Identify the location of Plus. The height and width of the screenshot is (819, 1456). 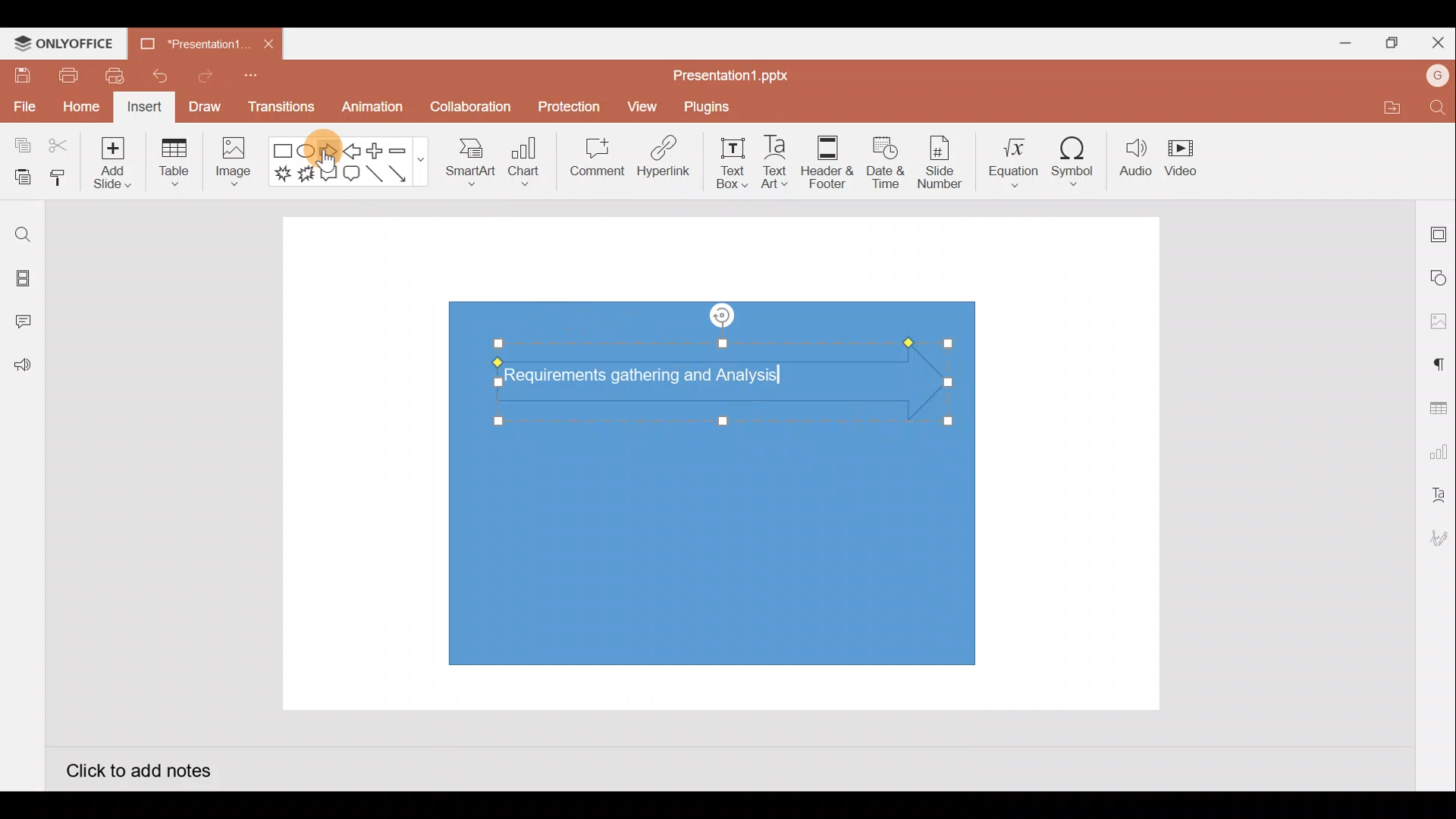
(378, 151).